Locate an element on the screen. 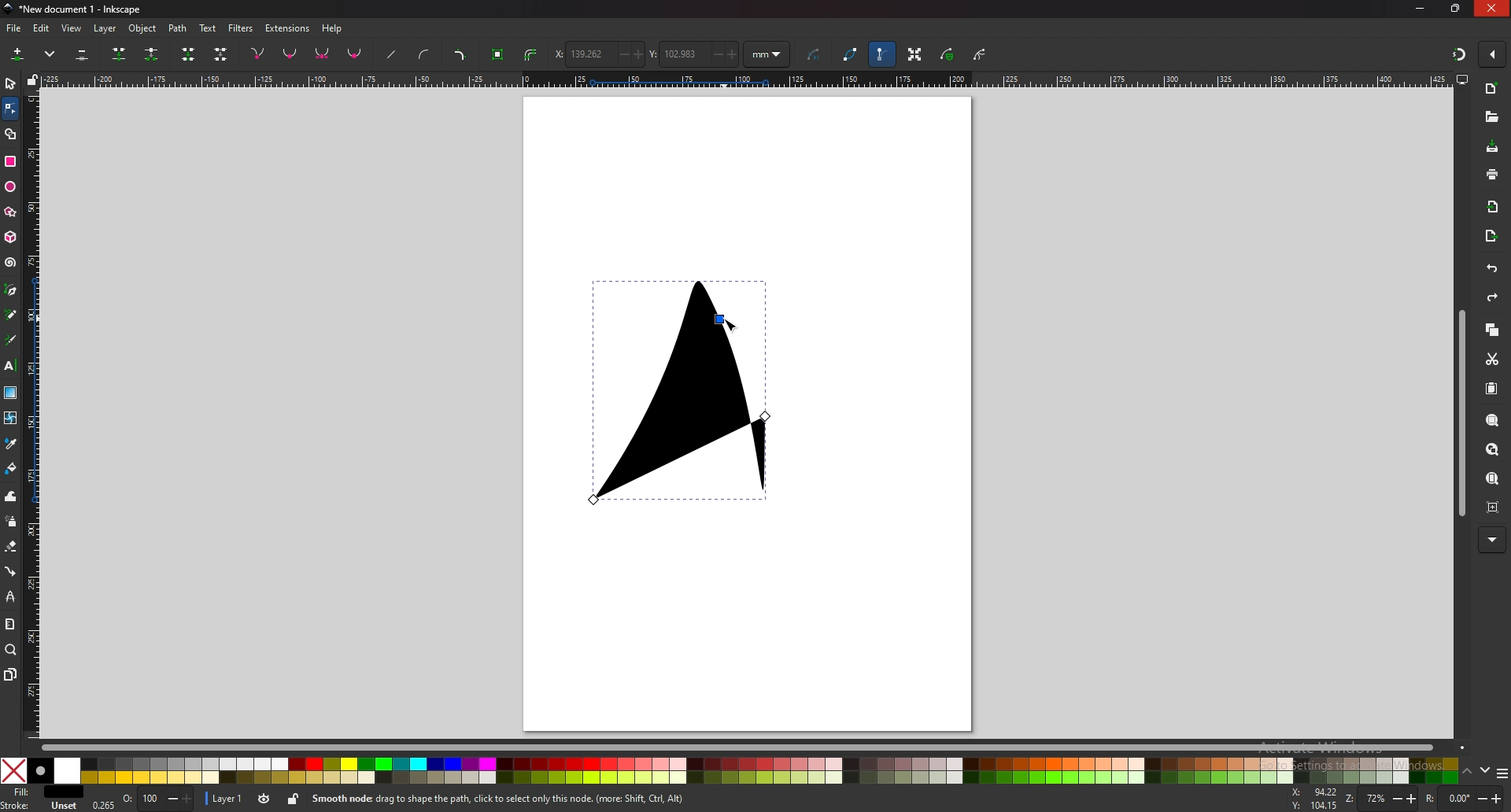 The image size is (1511, 812). page is located at coordinates (744, 412).